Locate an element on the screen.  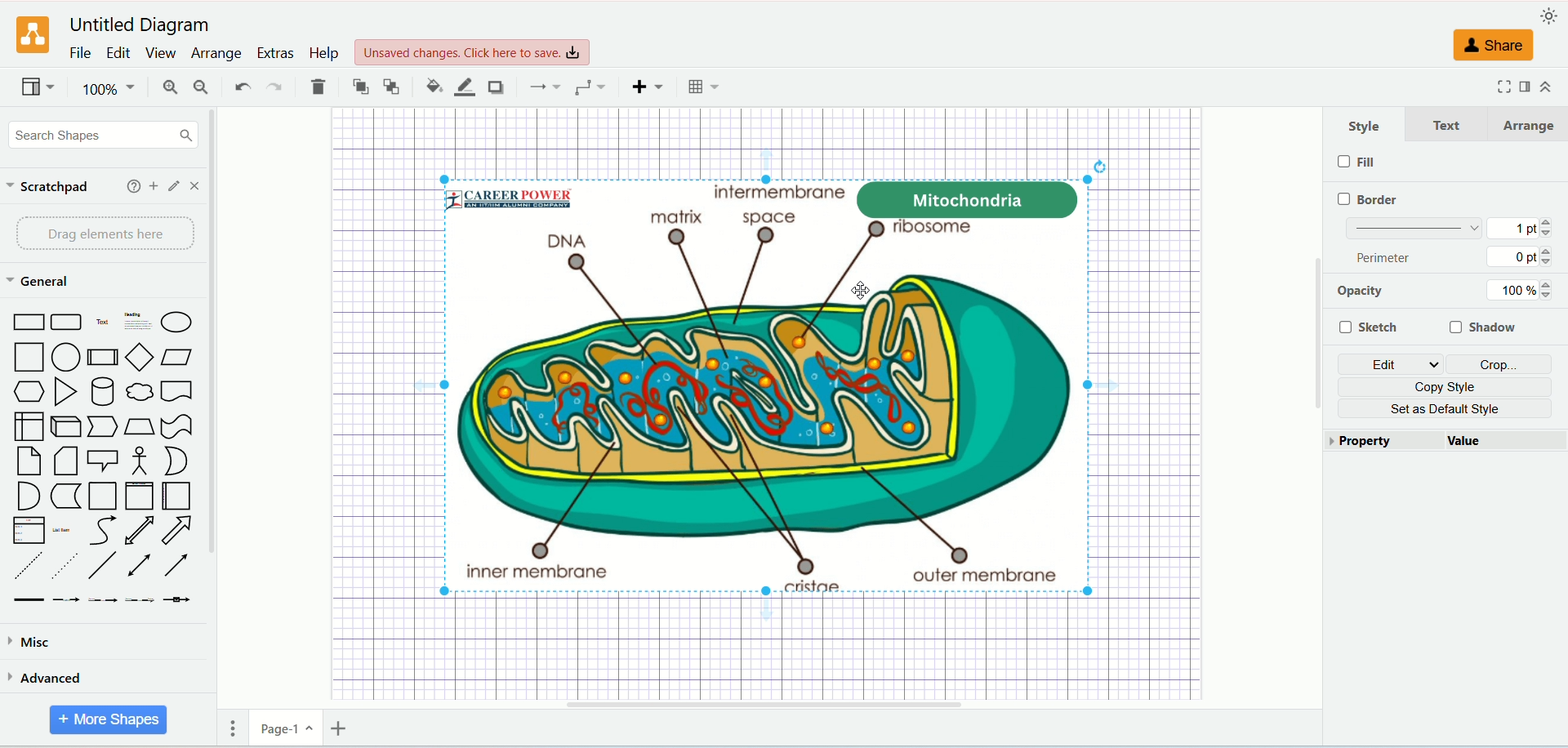
general is located at coordinates (42, 283).